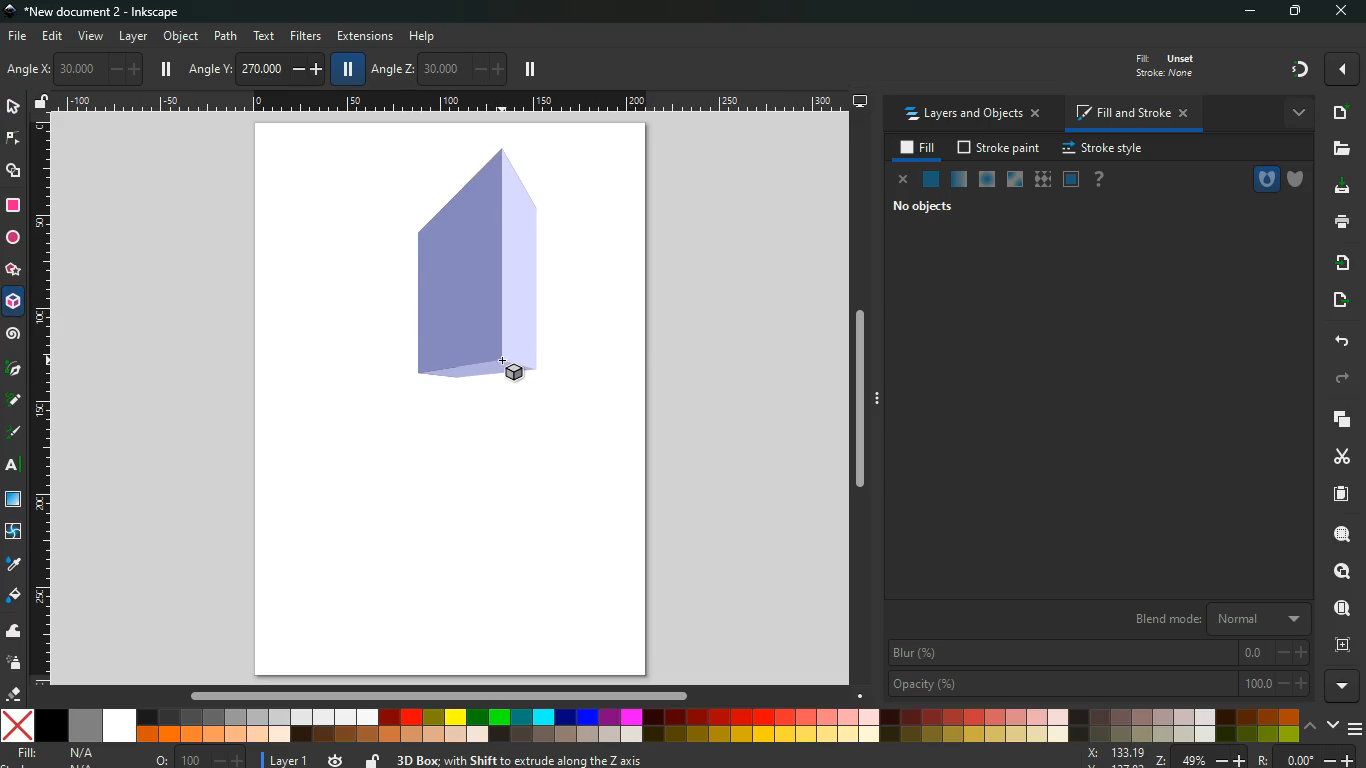 The width and height of the screenshot is (1366, 768). Describe the element at coordinates (14, 662) in the screenshot. I see `spray` at that location.